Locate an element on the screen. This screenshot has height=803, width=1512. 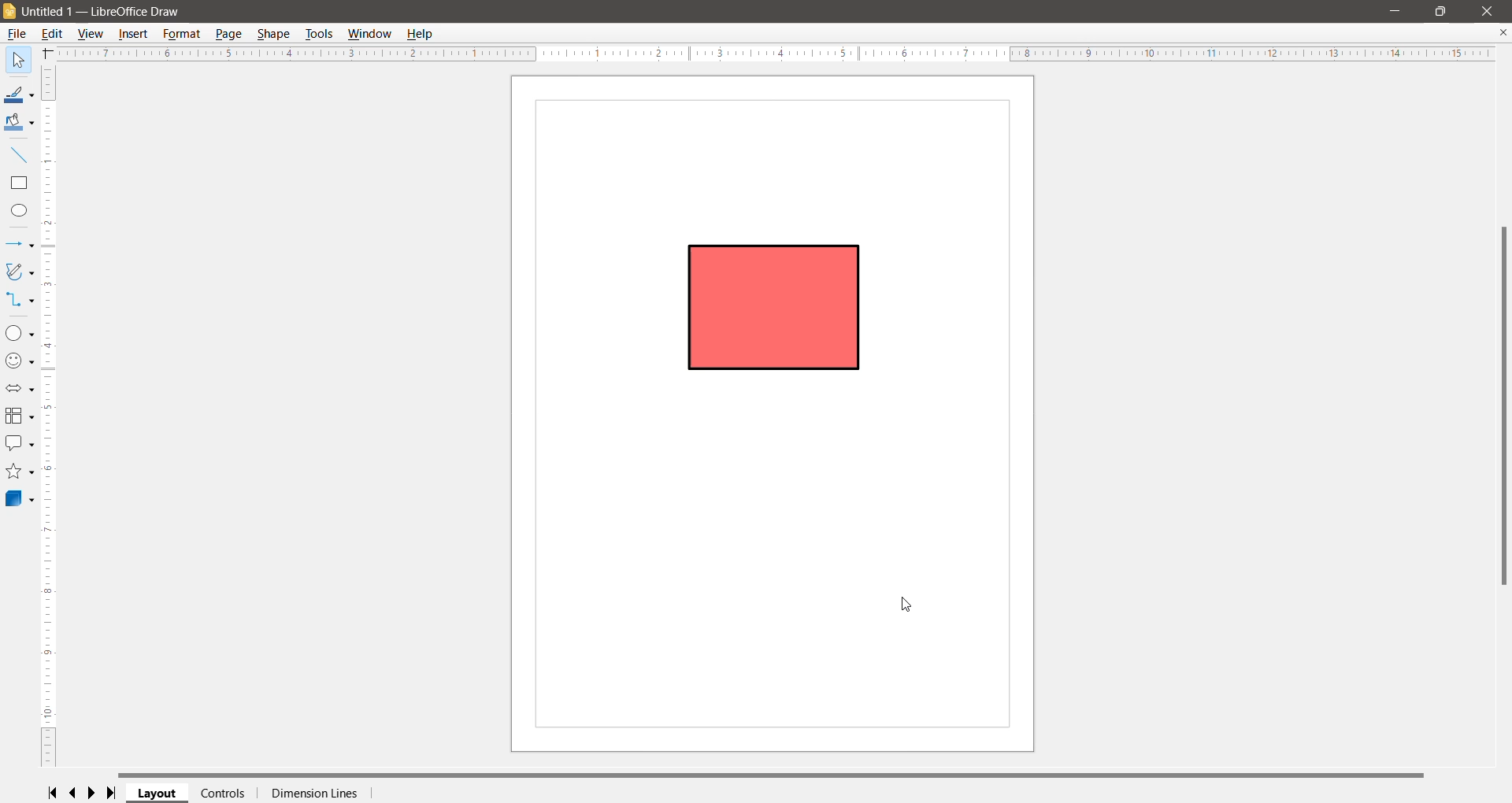
View is located at coordinates (92, 34).